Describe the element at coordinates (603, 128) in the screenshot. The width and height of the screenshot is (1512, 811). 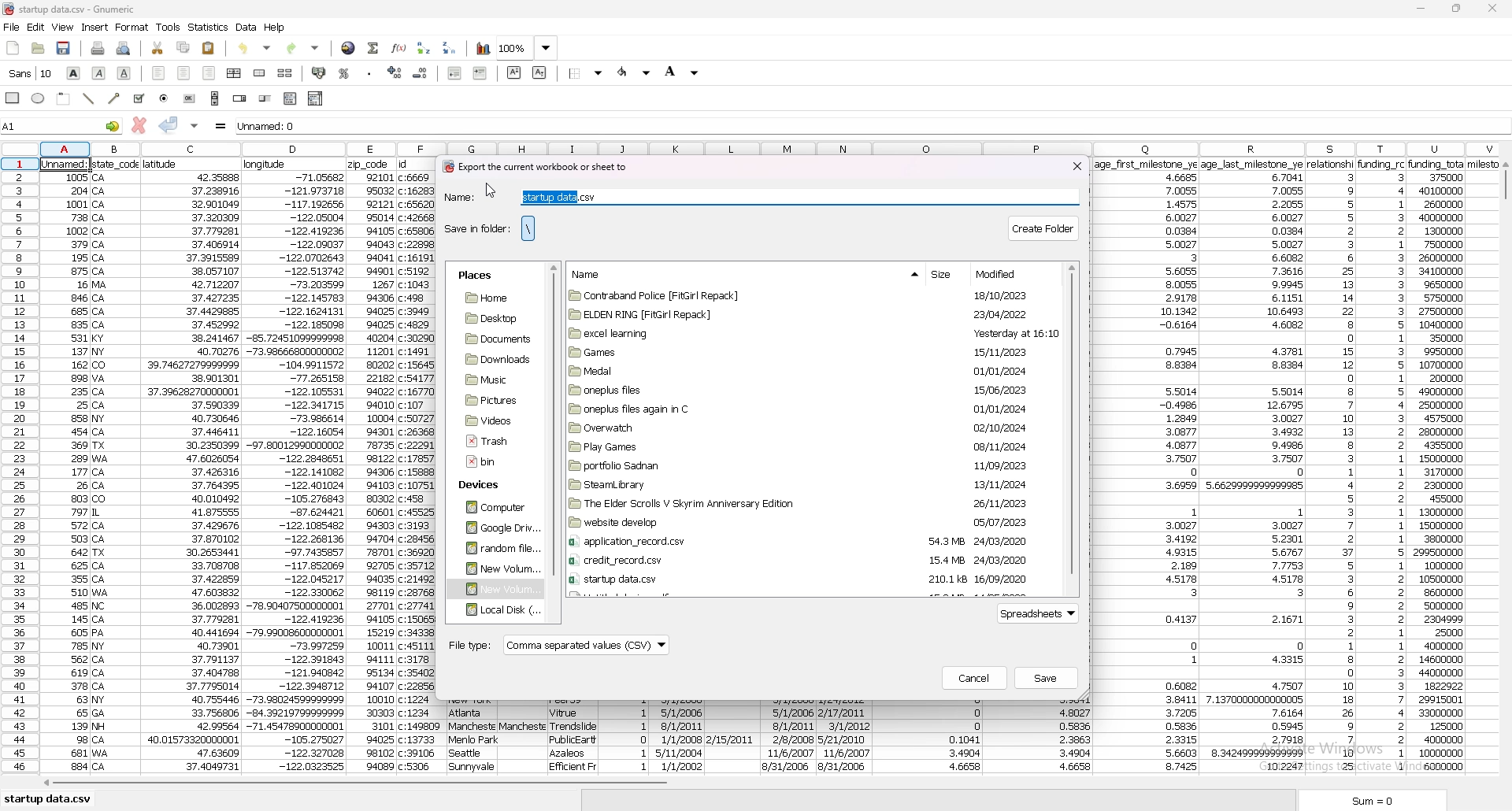
I see `Unanamed` at that location.